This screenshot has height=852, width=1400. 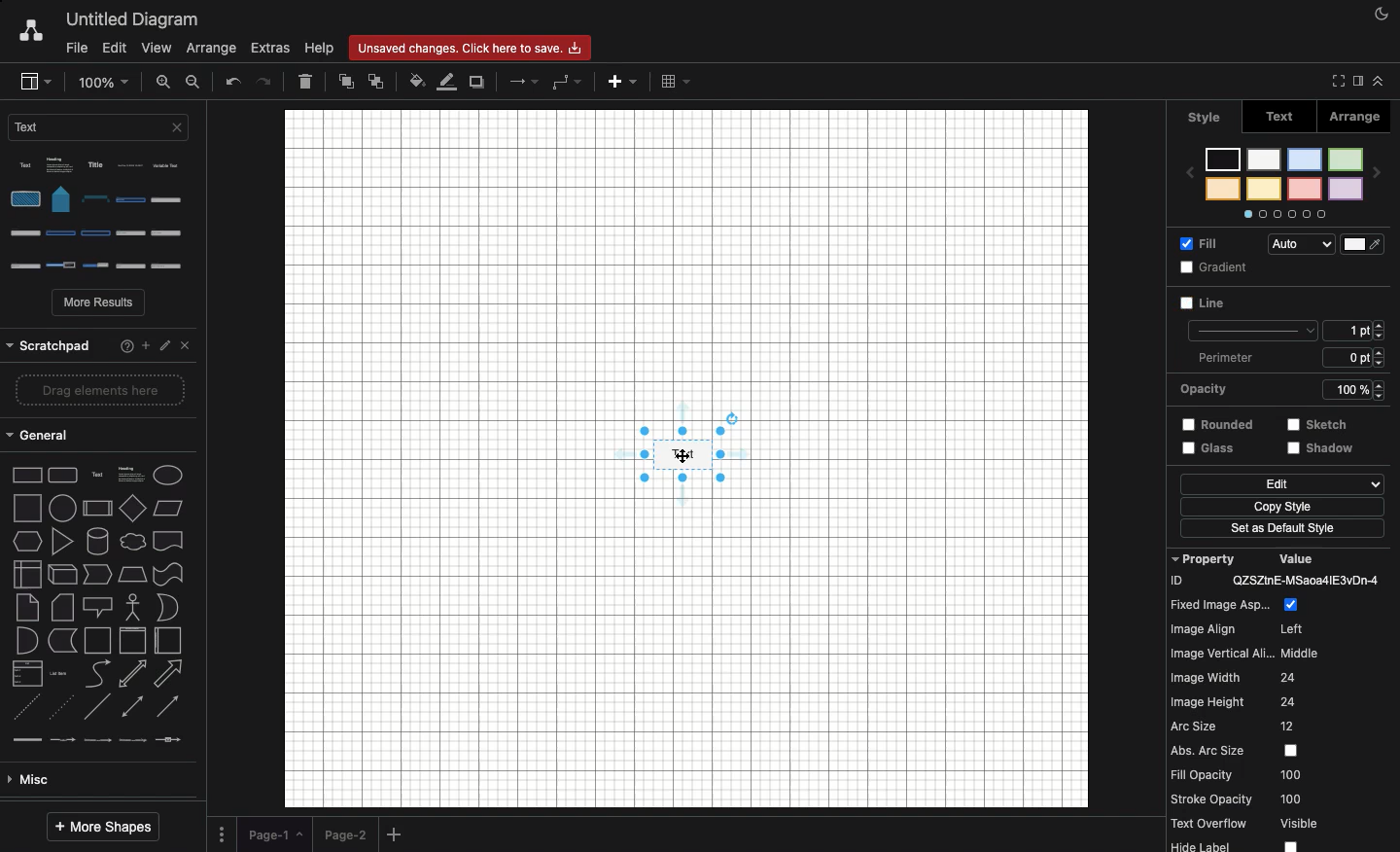 I want to click on To back, so click(x=375, y=81).